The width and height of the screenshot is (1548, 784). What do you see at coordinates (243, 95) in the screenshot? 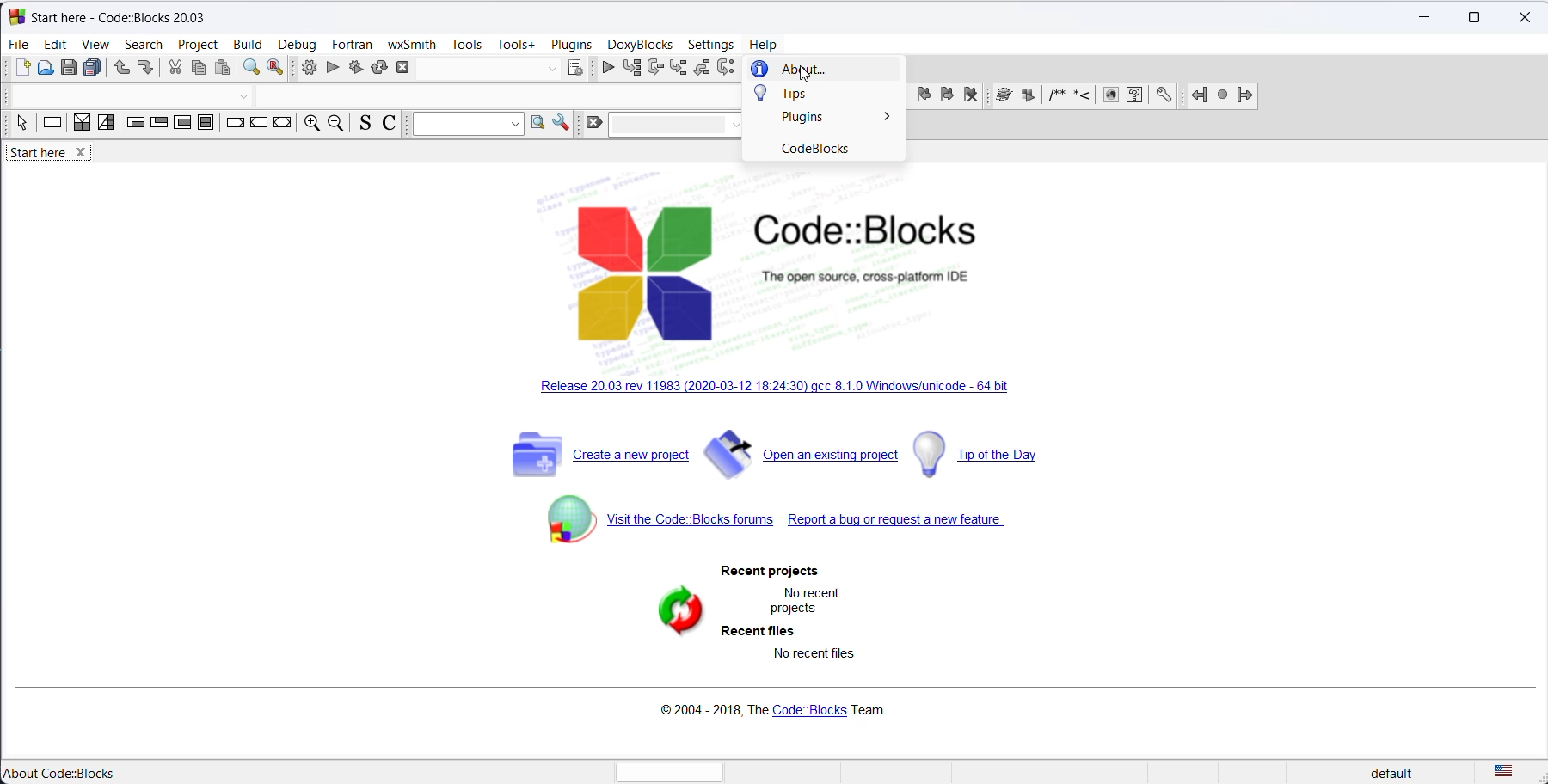
I see `dropdown` at bounding box center [243, 95].